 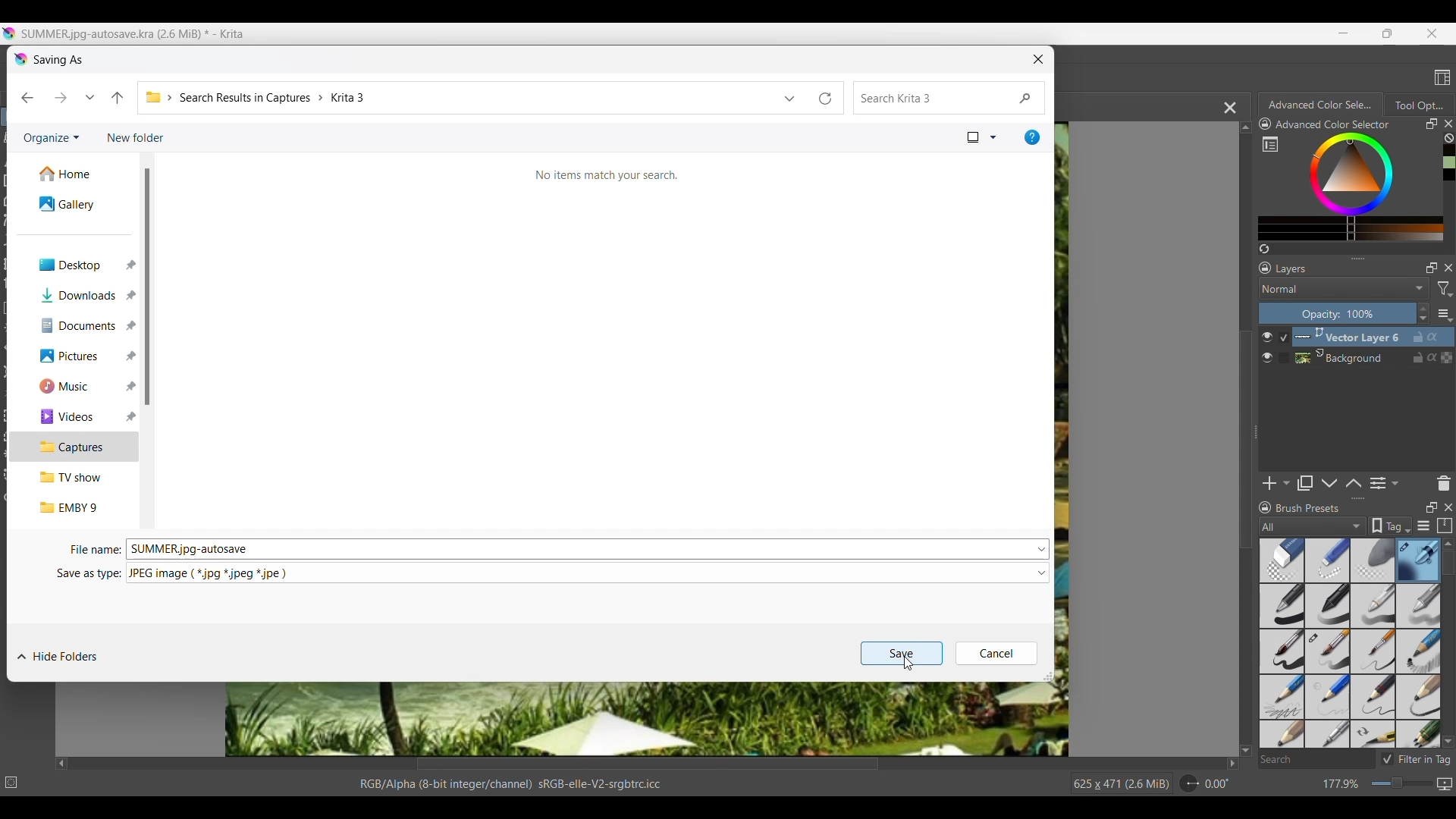 What do you see at coordinates (1246, 751) in the screenshot?
I see `Quick slide to bottom` at bounding box center [1246, 751].